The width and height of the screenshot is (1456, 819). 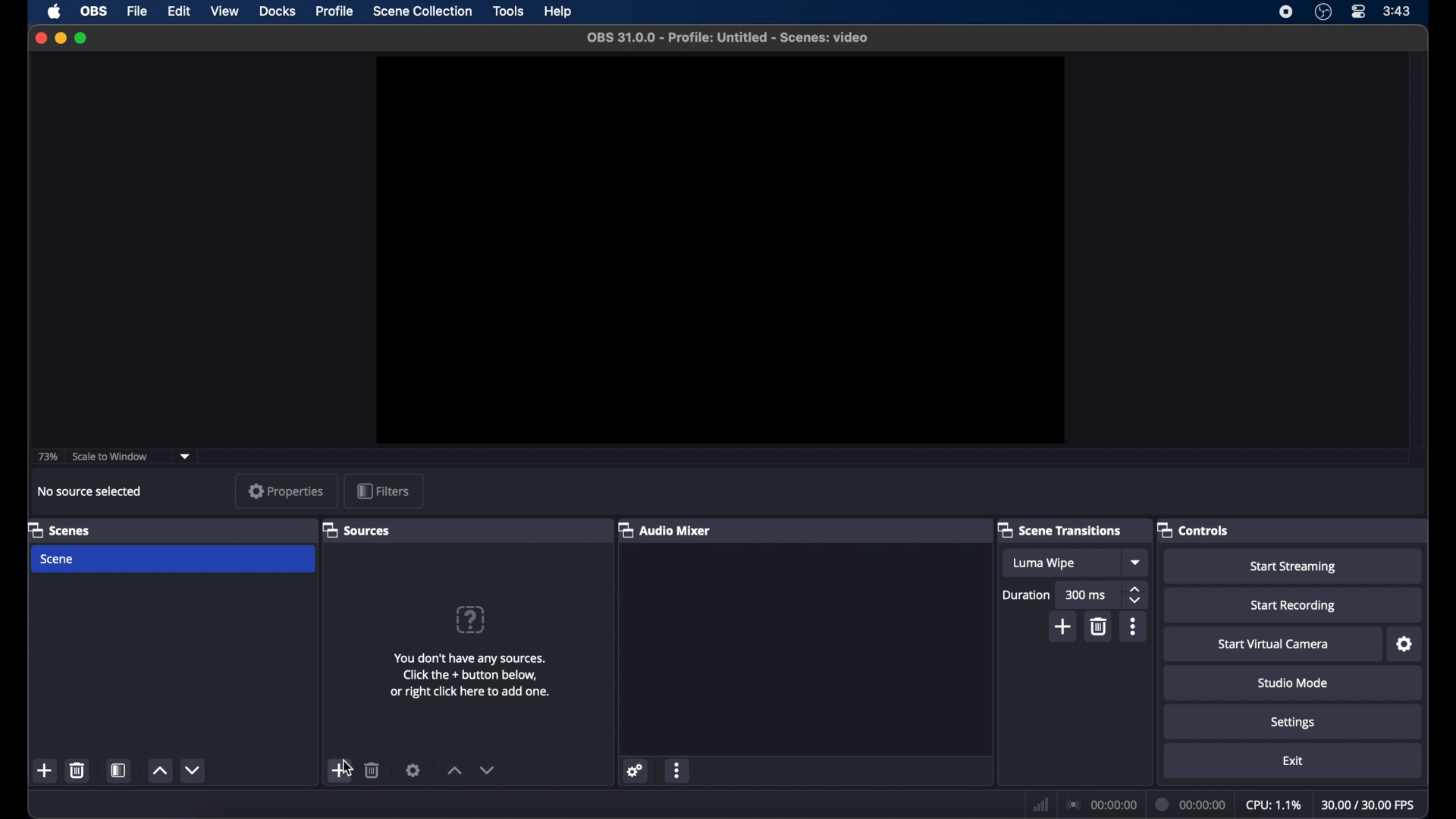 What do you see at coordinates (278, 11) in the screenshot?
I see `docks` at bounding box center [278, 11].